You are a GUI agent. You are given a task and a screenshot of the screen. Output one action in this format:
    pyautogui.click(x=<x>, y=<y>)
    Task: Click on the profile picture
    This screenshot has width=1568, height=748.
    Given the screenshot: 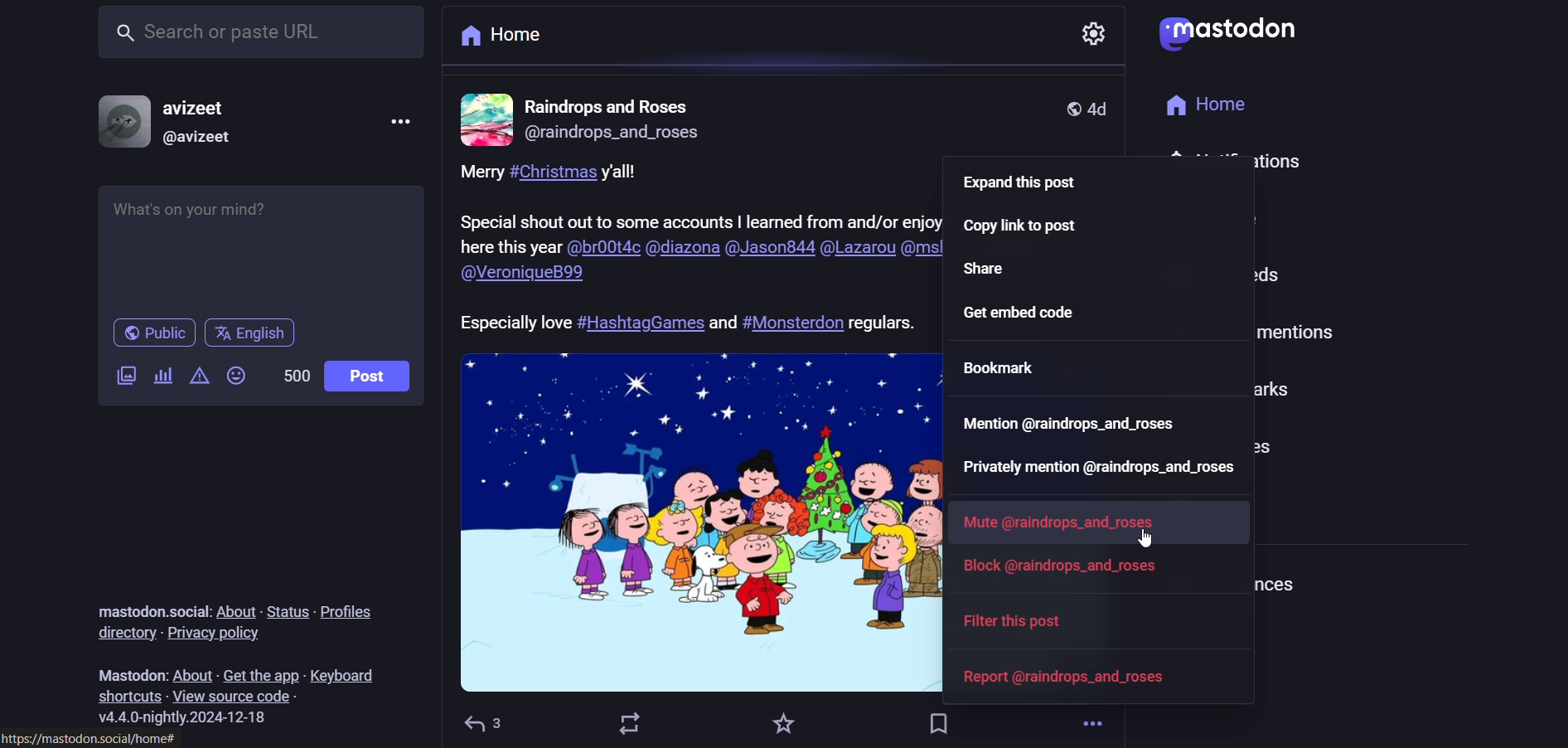 What is the action you would take?
    pyautogui.click(x=486, y=118)
    